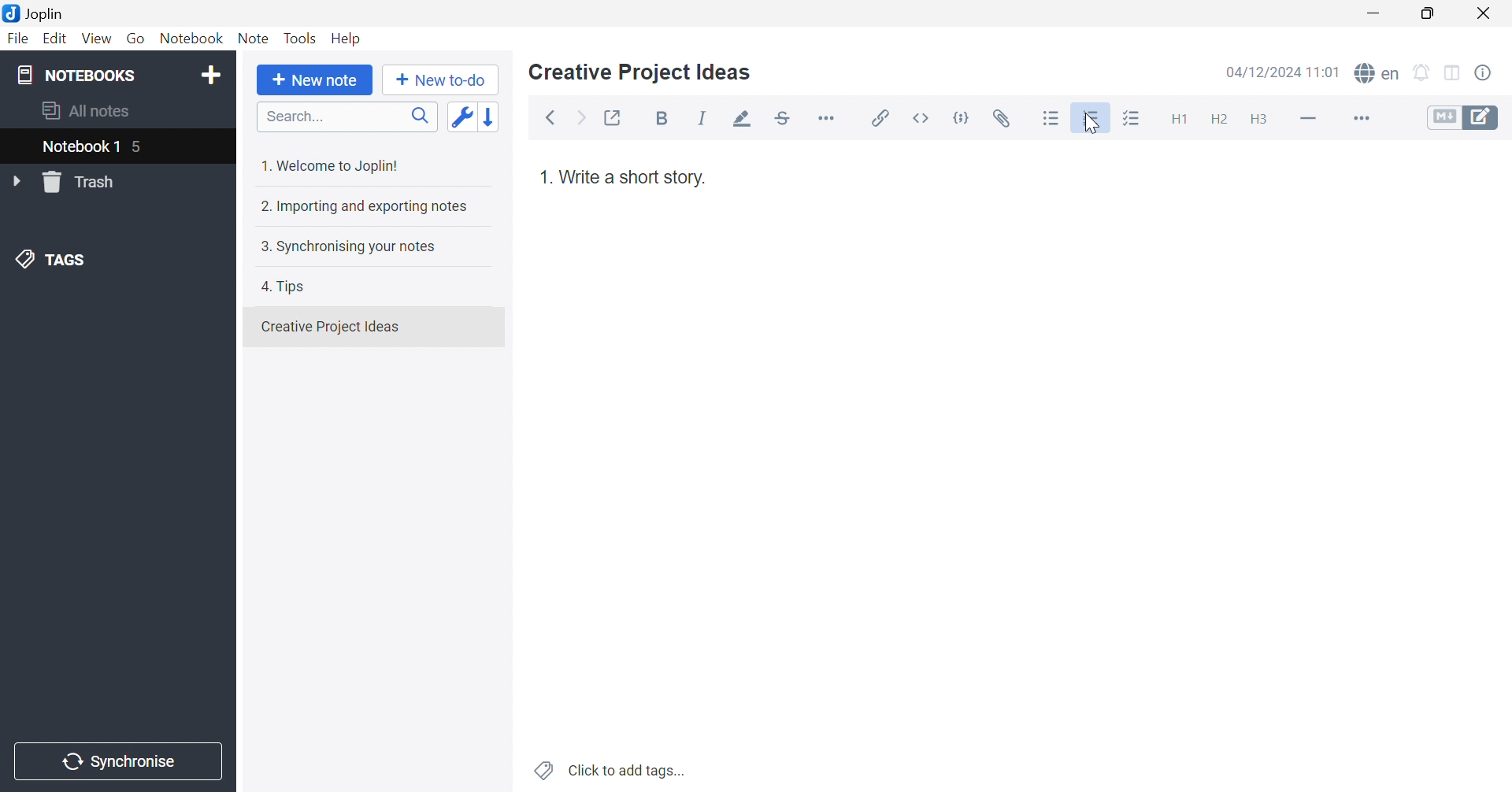 The width and height of the screenshot is (1512, 792). What do you see at coordinates (83, 110) in the screenshot?
I see `All notes` at bounding box center [83, 110].